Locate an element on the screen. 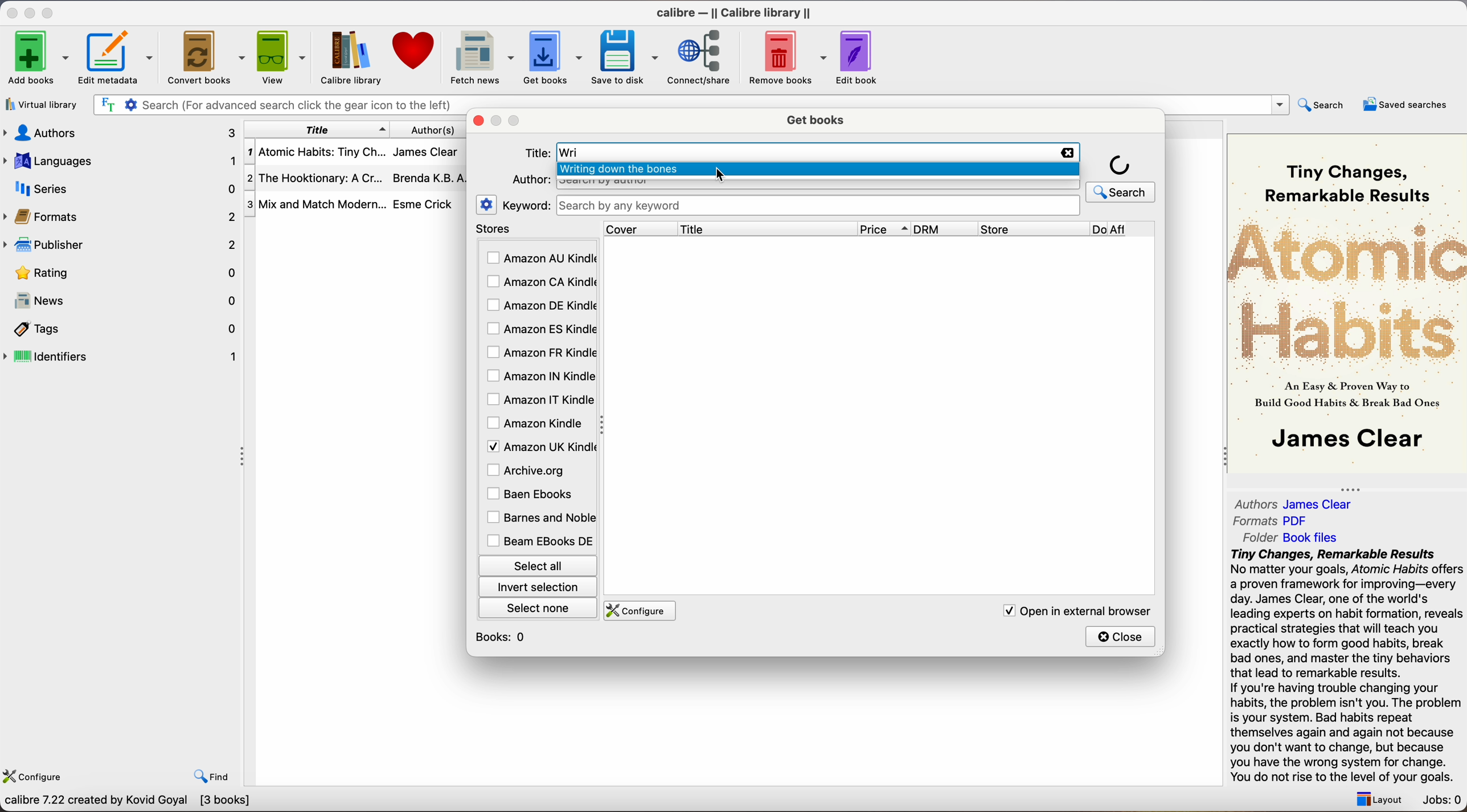 The height and width of the screenshot is (812, 1467). indentifiers is located at coordinates (123, 355).